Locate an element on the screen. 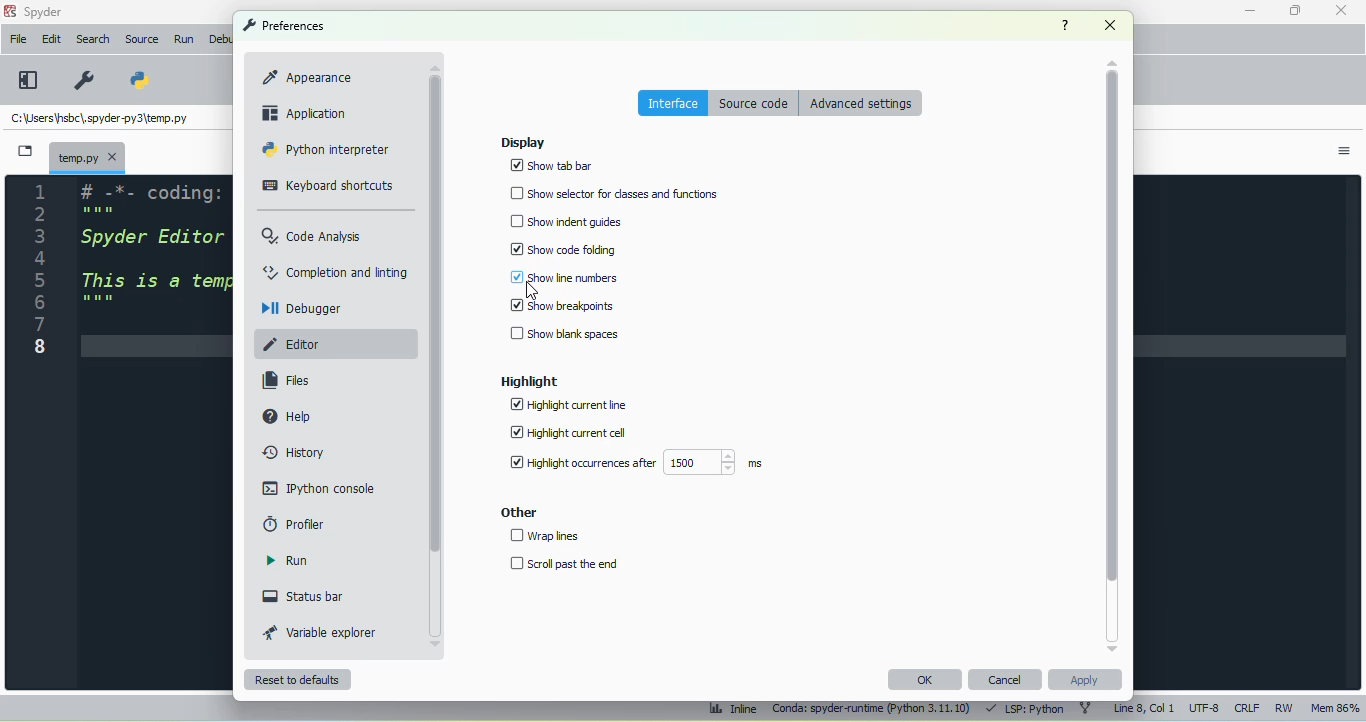 Image resolution: width=1366 pixels, height=722 pixels. UTF-8 is located at coordinates (1205, 707).